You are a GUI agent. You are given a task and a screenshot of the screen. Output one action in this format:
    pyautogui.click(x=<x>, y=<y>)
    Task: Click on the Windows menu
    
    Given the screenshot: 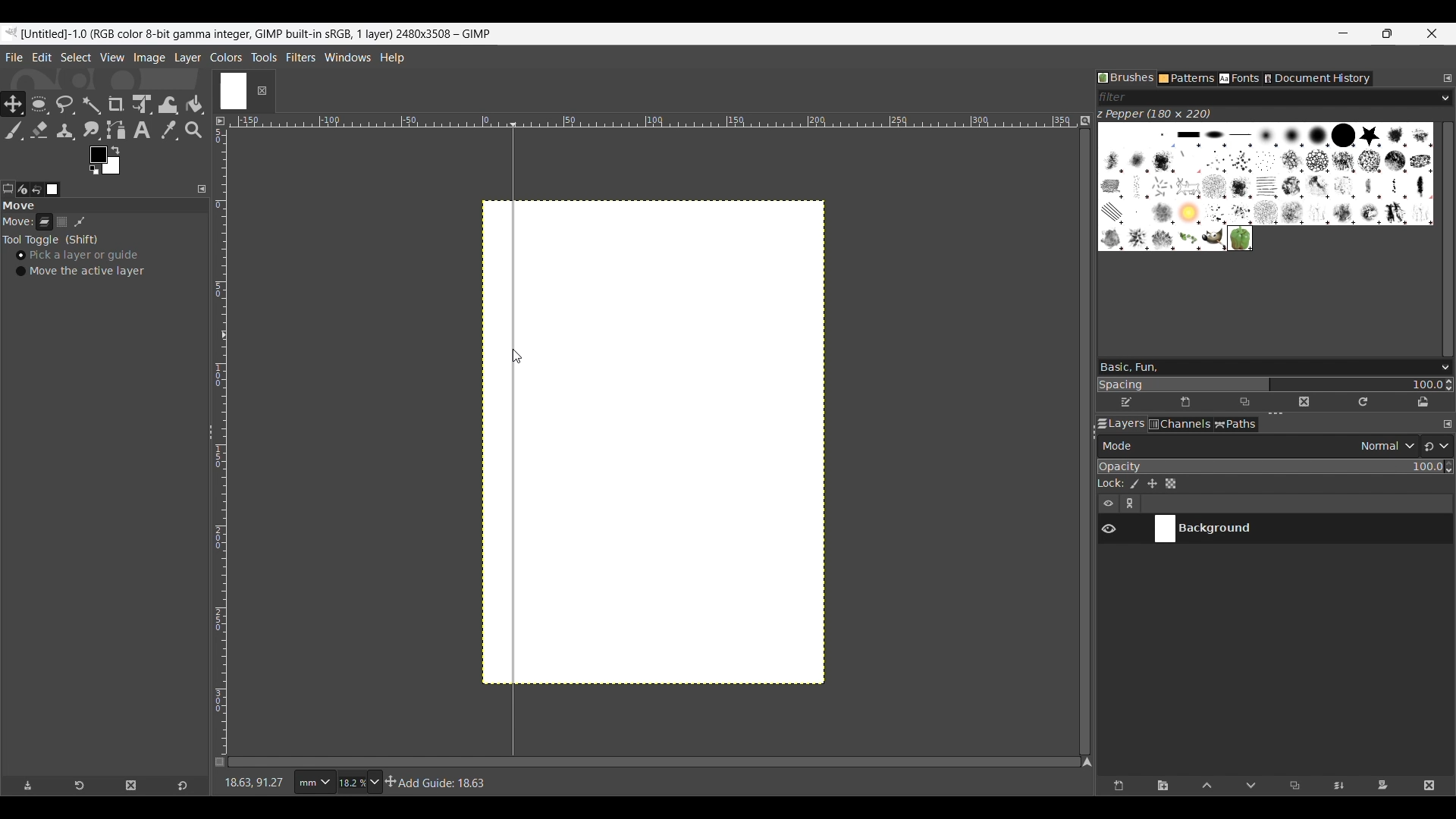 What is the action you would take?
    pyautogui.click(x=347, y=55)
    